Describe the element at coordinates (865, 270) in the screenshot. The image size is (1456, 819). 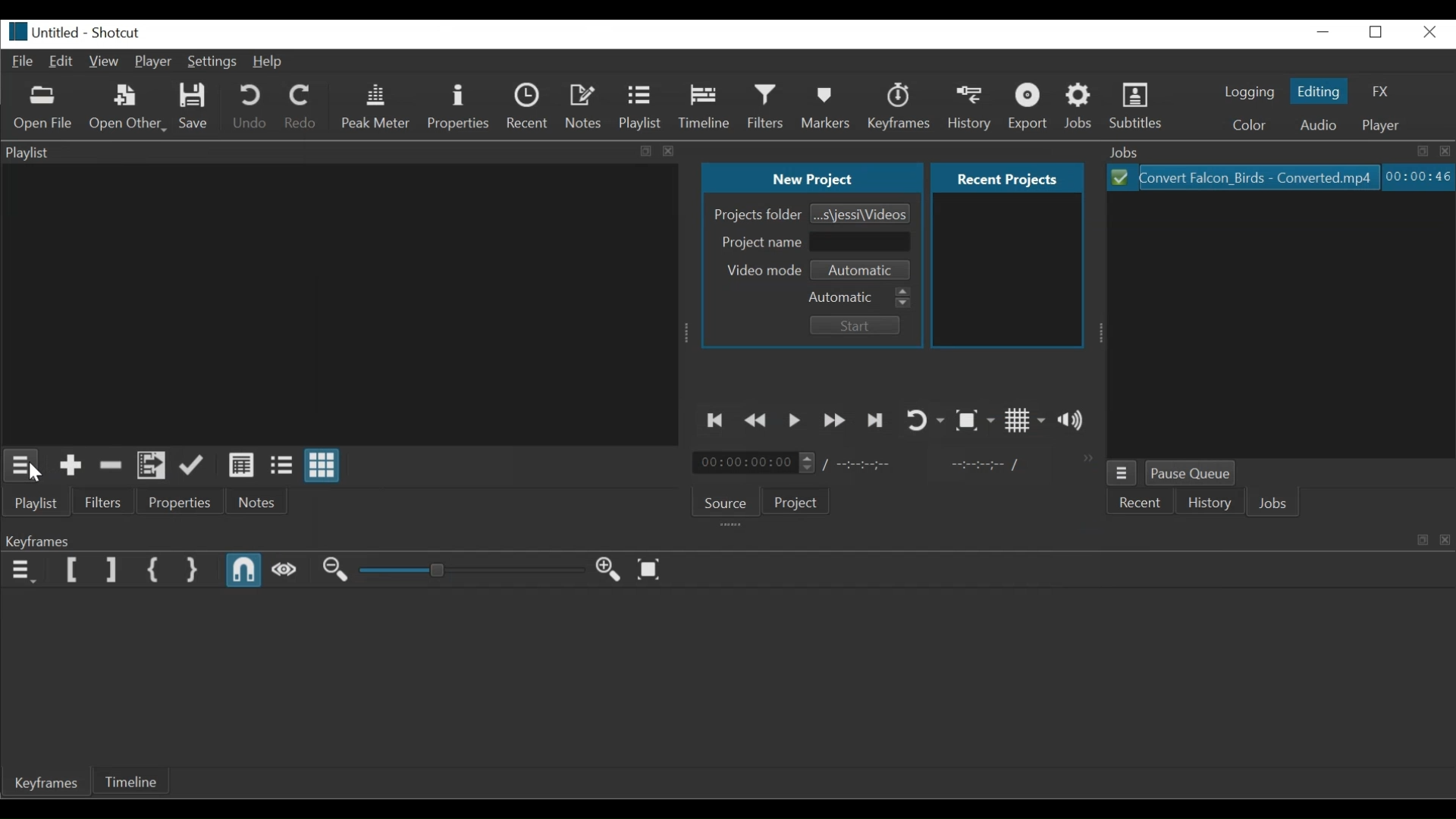
I see `Set Video mode` at that location.